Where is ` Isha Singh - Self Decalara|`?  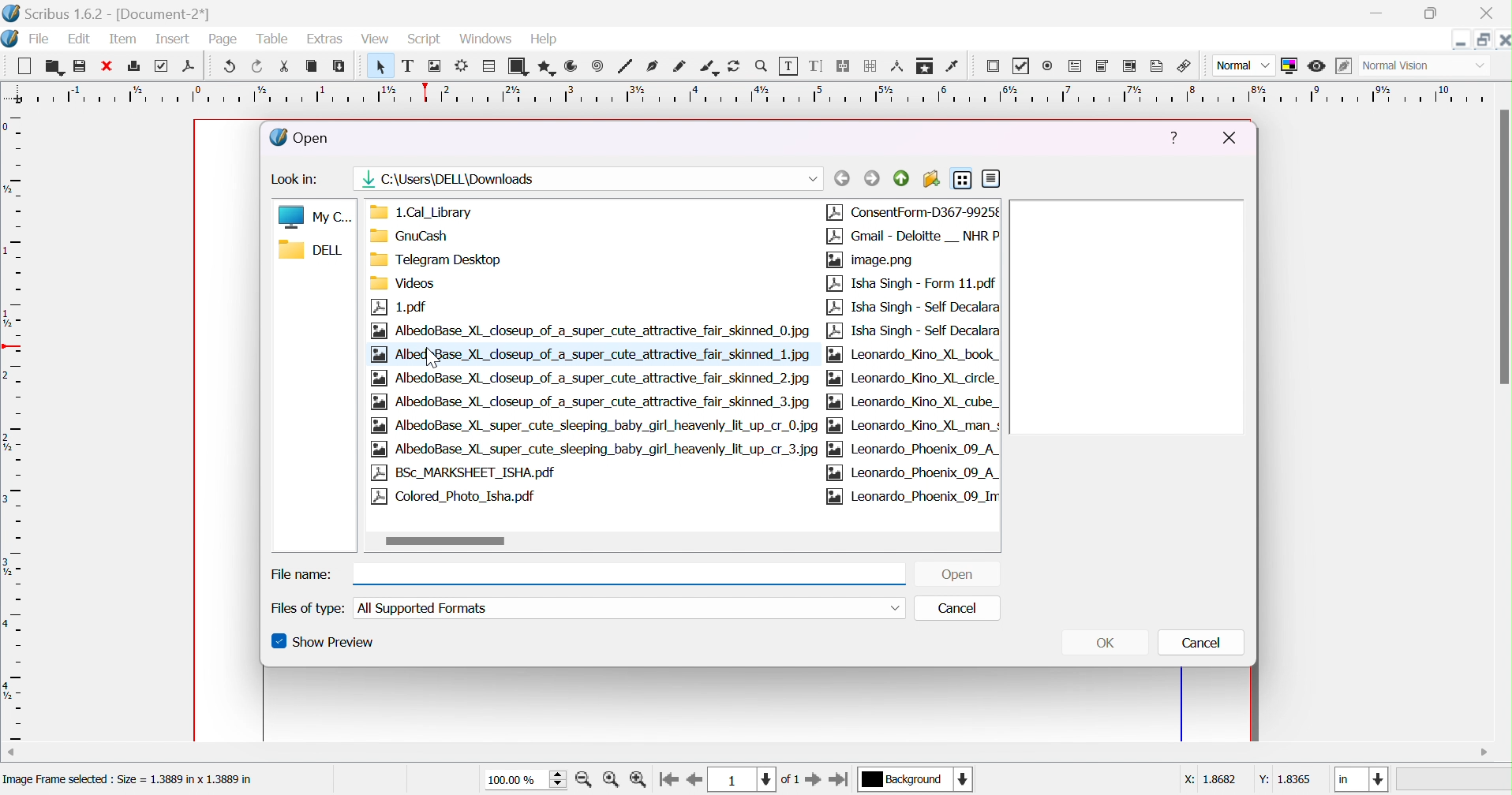
 Isha Singh - Self Decalara| is located at coordinates (913, 330).